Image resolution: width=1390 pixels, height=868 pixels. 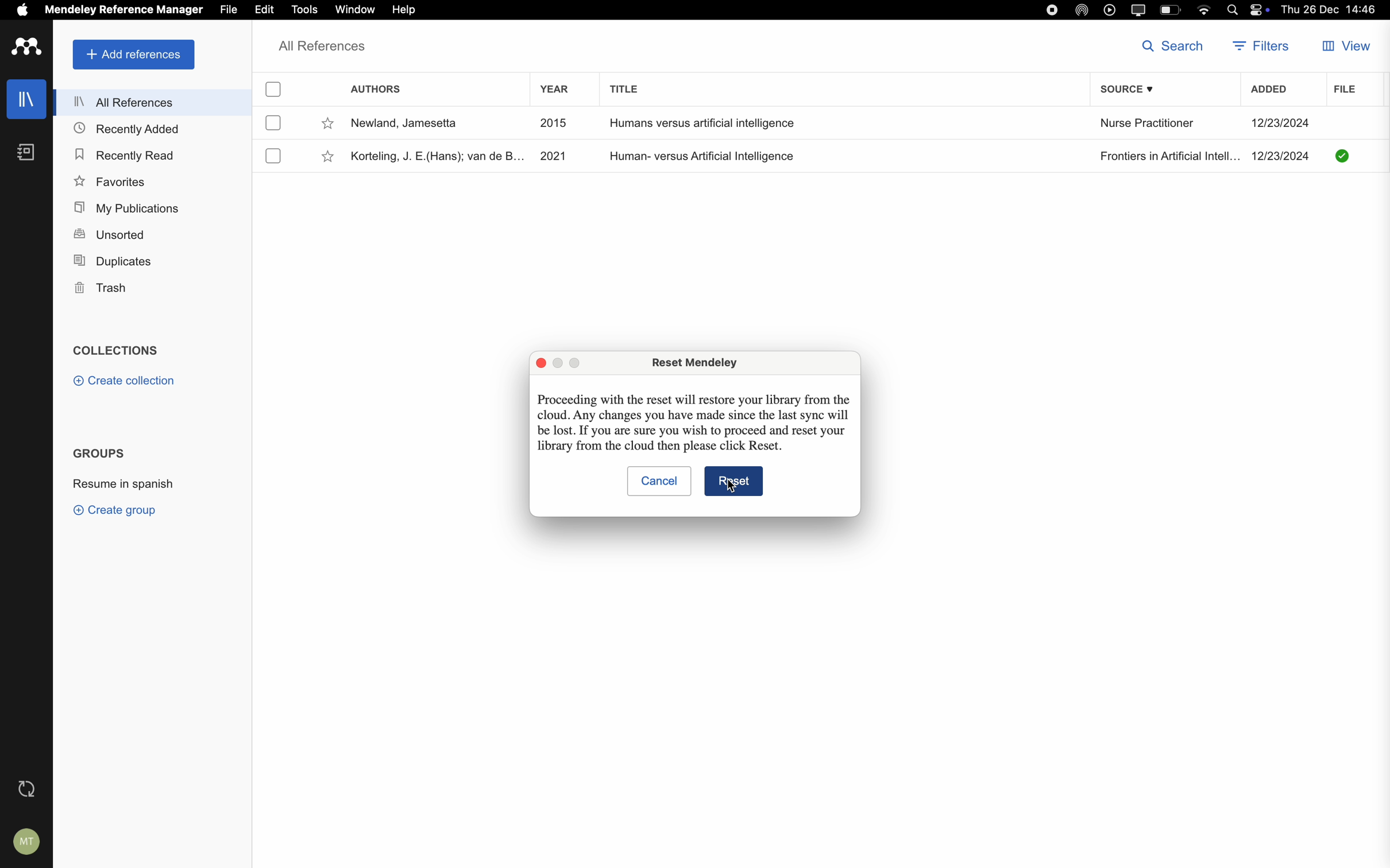 What do you see at coordinates (275, 156) in the screenshot?
I see `checkbox` at bounding box center [275, 156].